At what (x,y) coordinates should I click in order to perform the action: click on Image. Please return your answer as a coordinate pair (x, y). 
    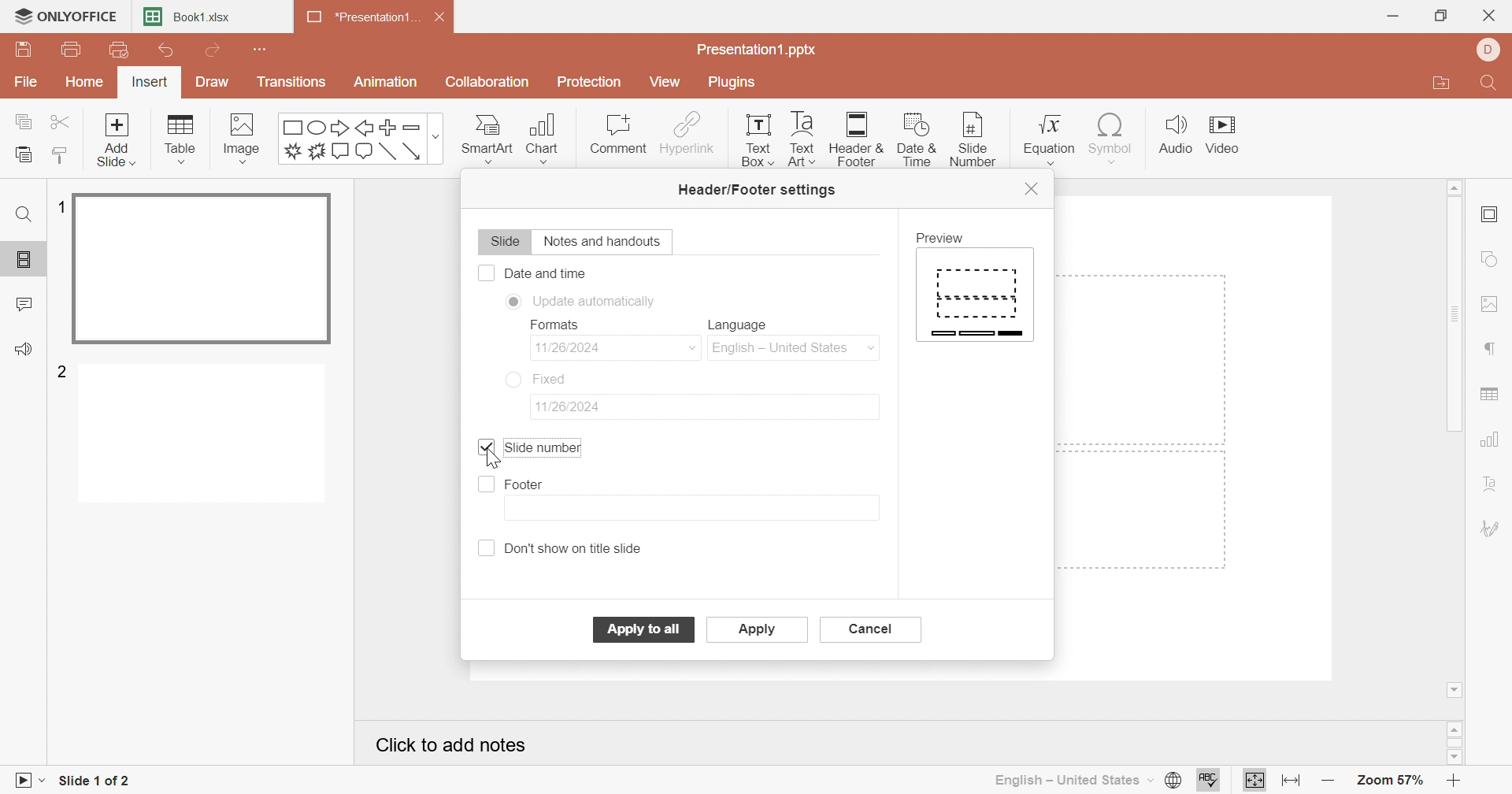
    Looking at the image, I should click on (247, 139).